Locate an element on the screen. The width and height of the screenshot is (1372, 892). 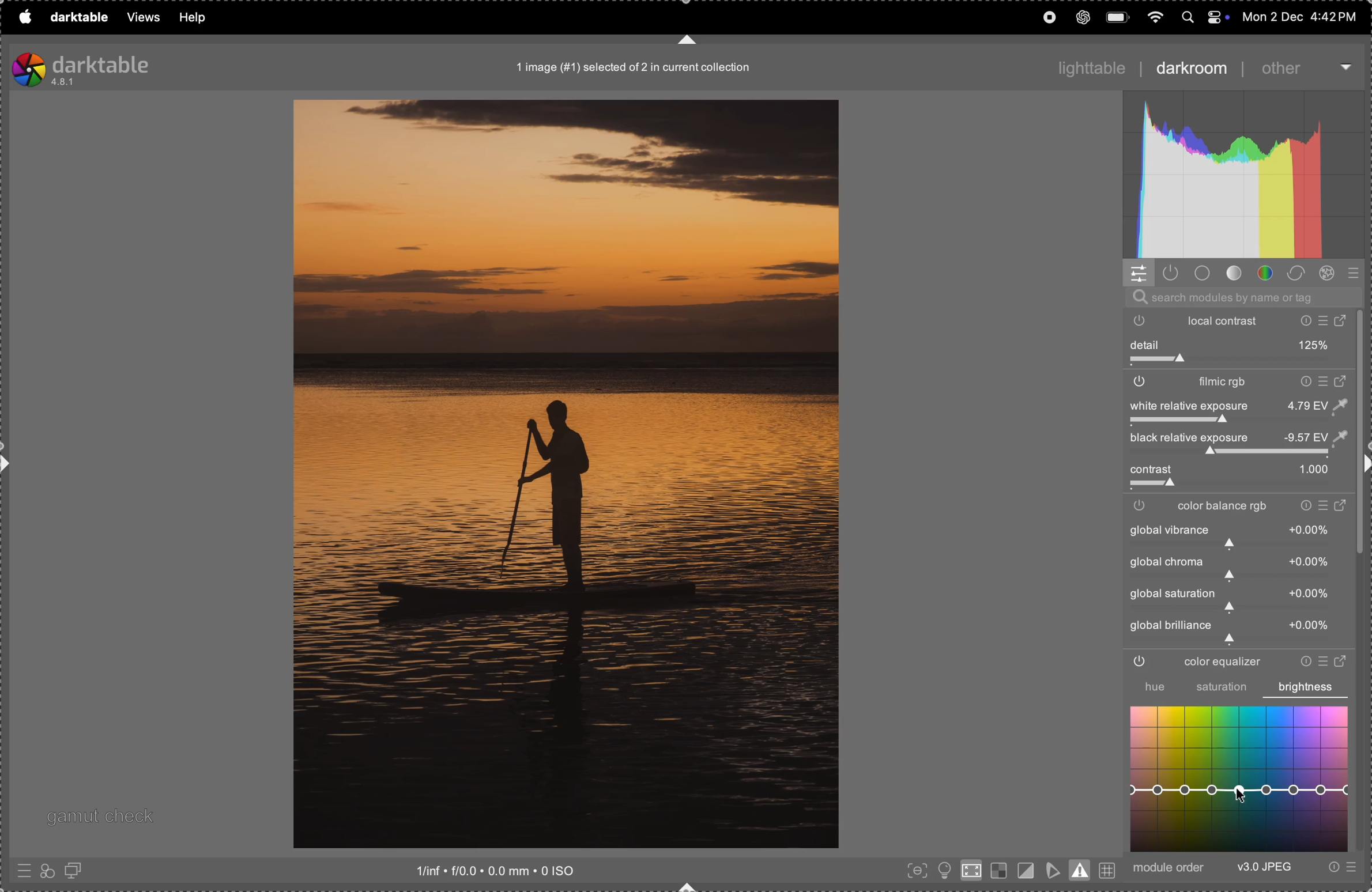
toggle gamut checking is located at coordinates (1081, 870).